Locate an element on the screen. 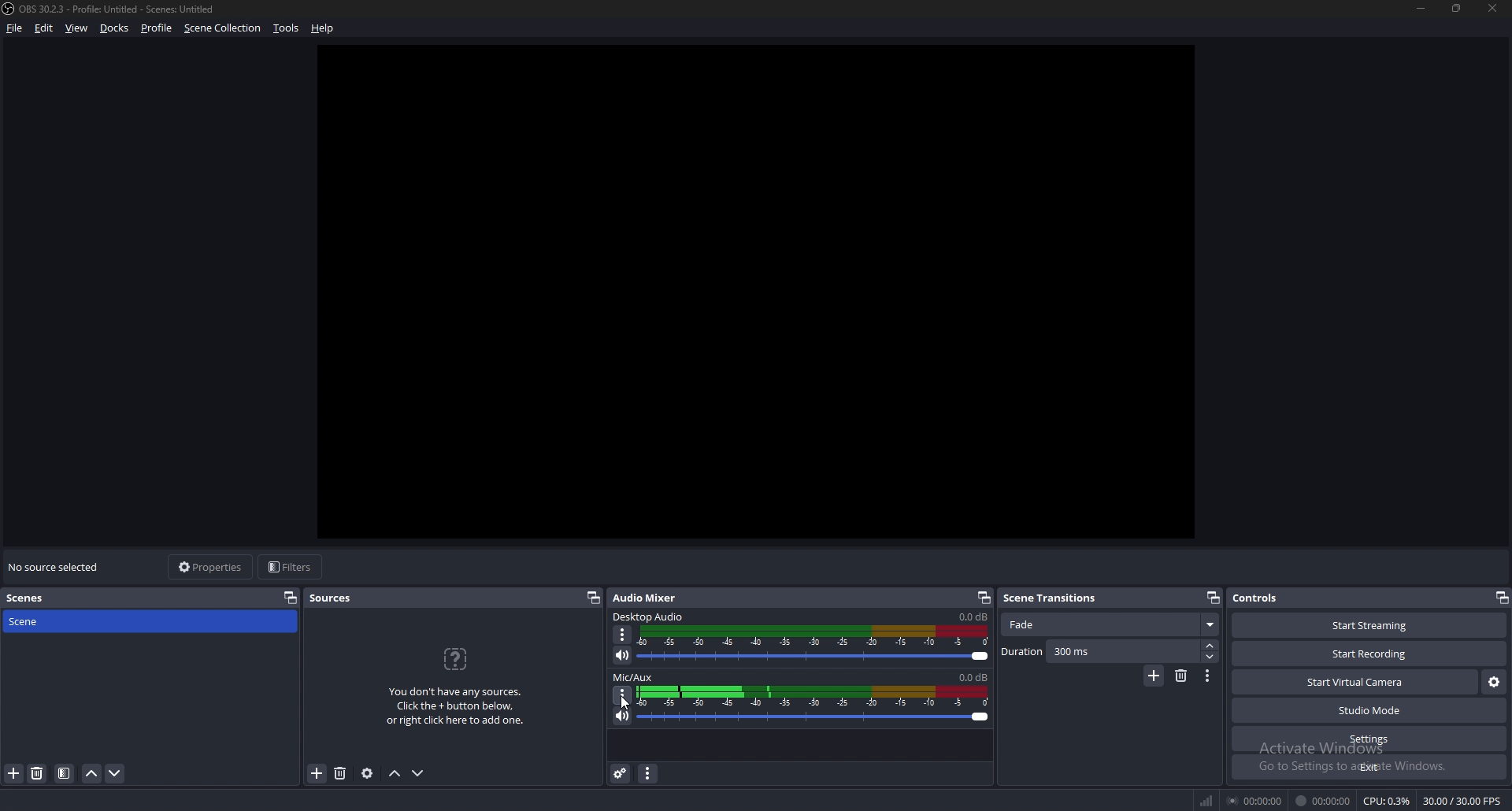 The width and height of the screenshot is (1512, 811). desktop audio is located at coordinates (811, 657).